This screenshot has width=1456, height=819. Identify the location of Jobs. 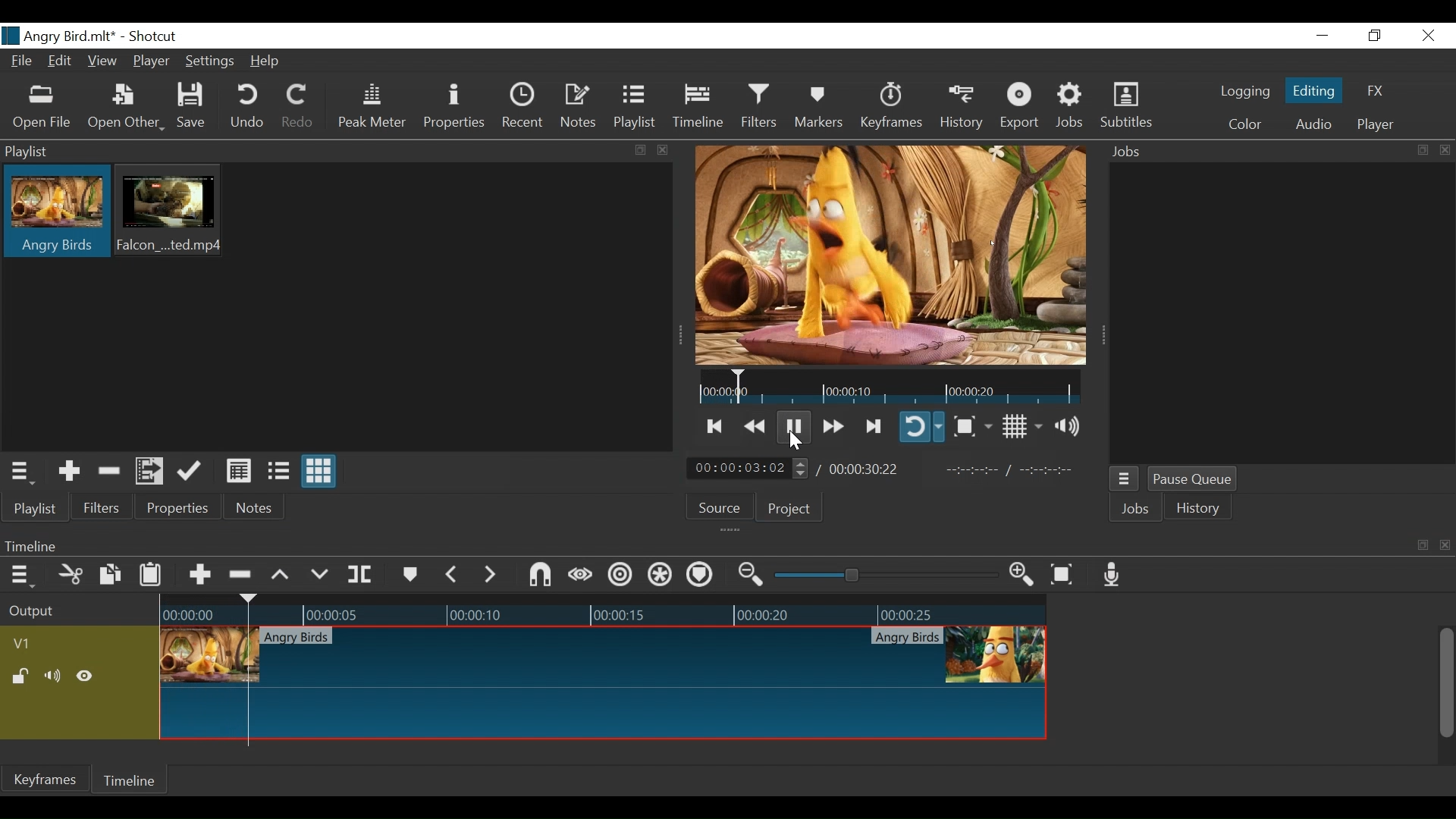
(1072, 108).